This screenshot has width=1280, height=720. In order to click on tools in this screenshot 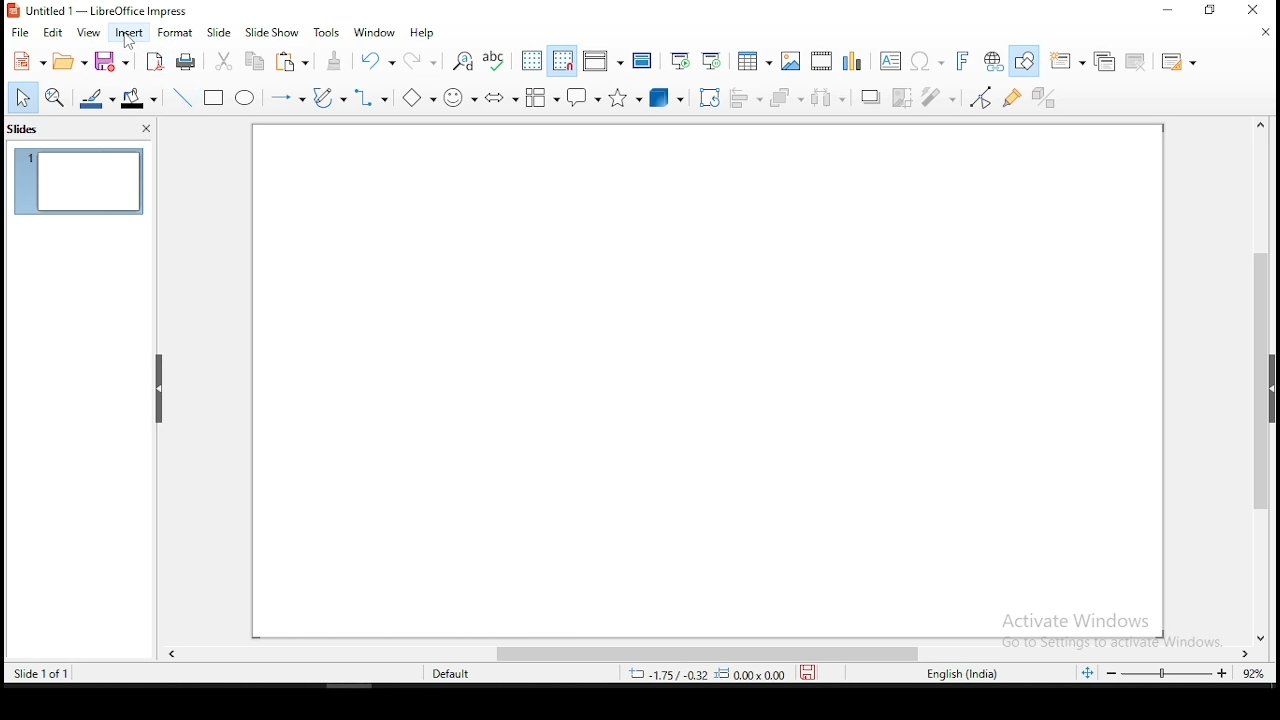, I will do `click(328, 32)`.